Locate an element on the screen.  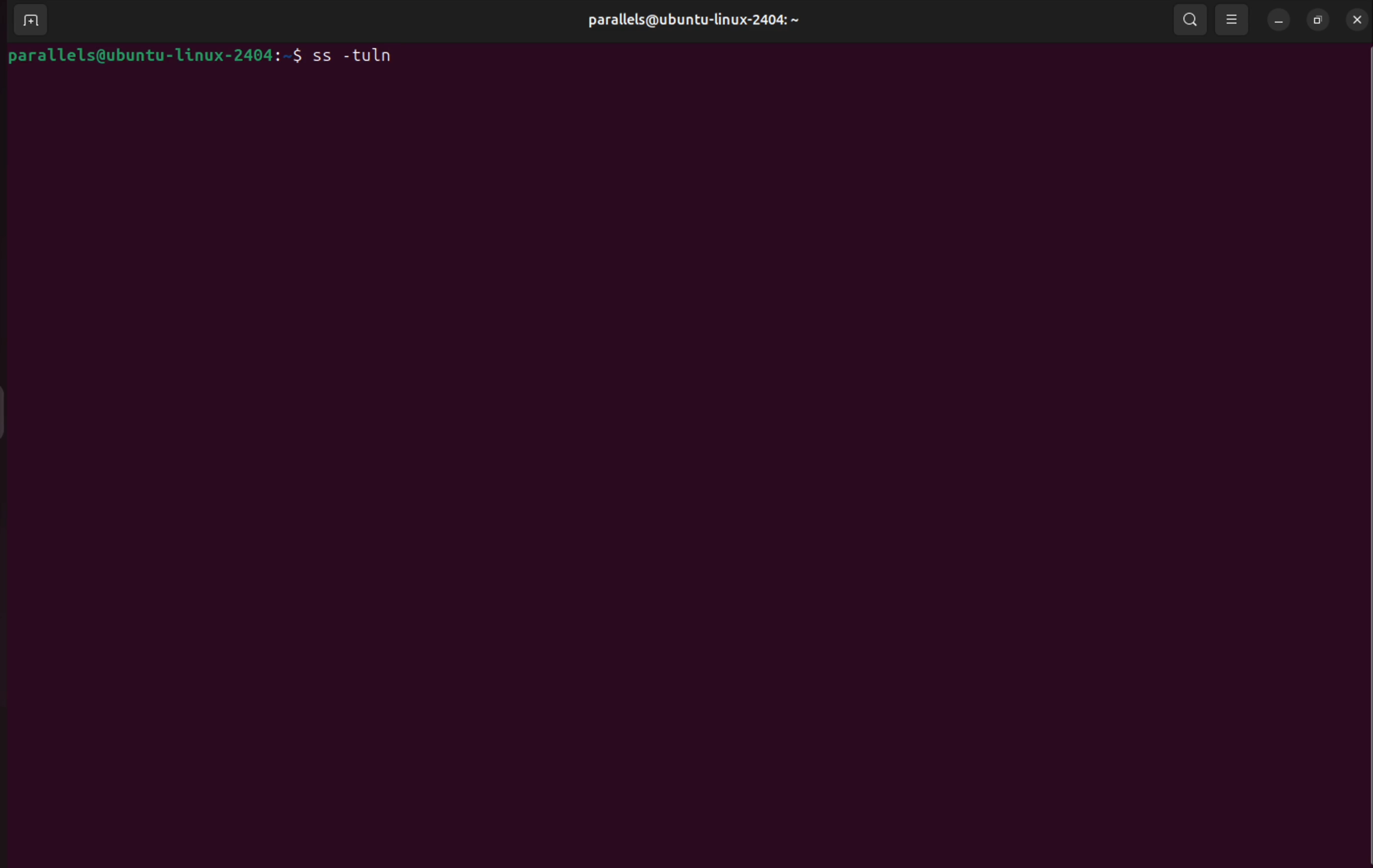
resize is located at coordinates (1319, 20).